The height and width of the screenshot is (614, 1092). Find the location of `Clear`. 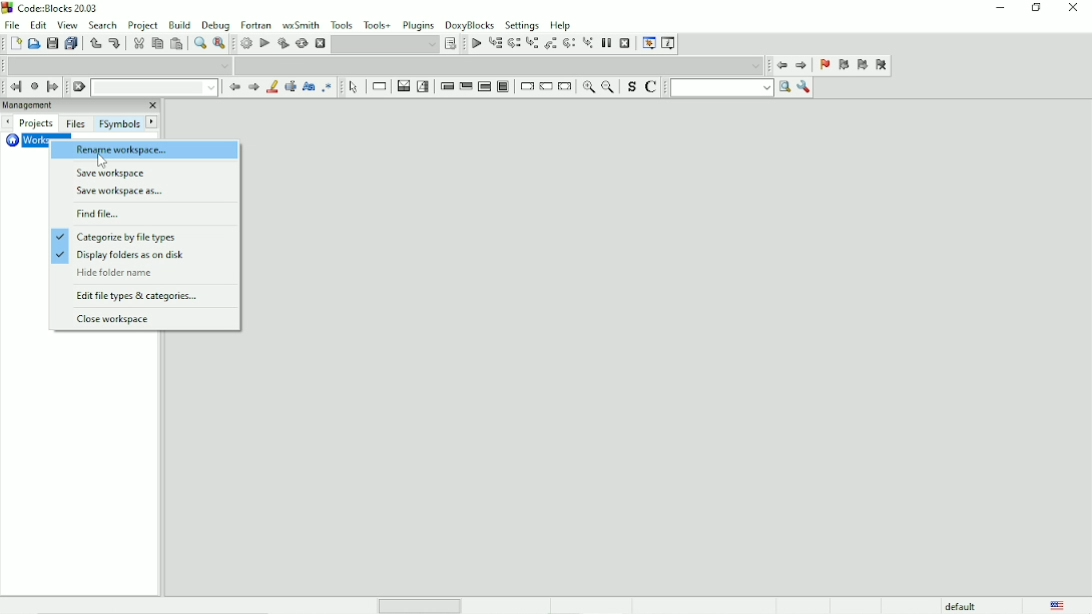

Clear is located at coordinates (79, 87).